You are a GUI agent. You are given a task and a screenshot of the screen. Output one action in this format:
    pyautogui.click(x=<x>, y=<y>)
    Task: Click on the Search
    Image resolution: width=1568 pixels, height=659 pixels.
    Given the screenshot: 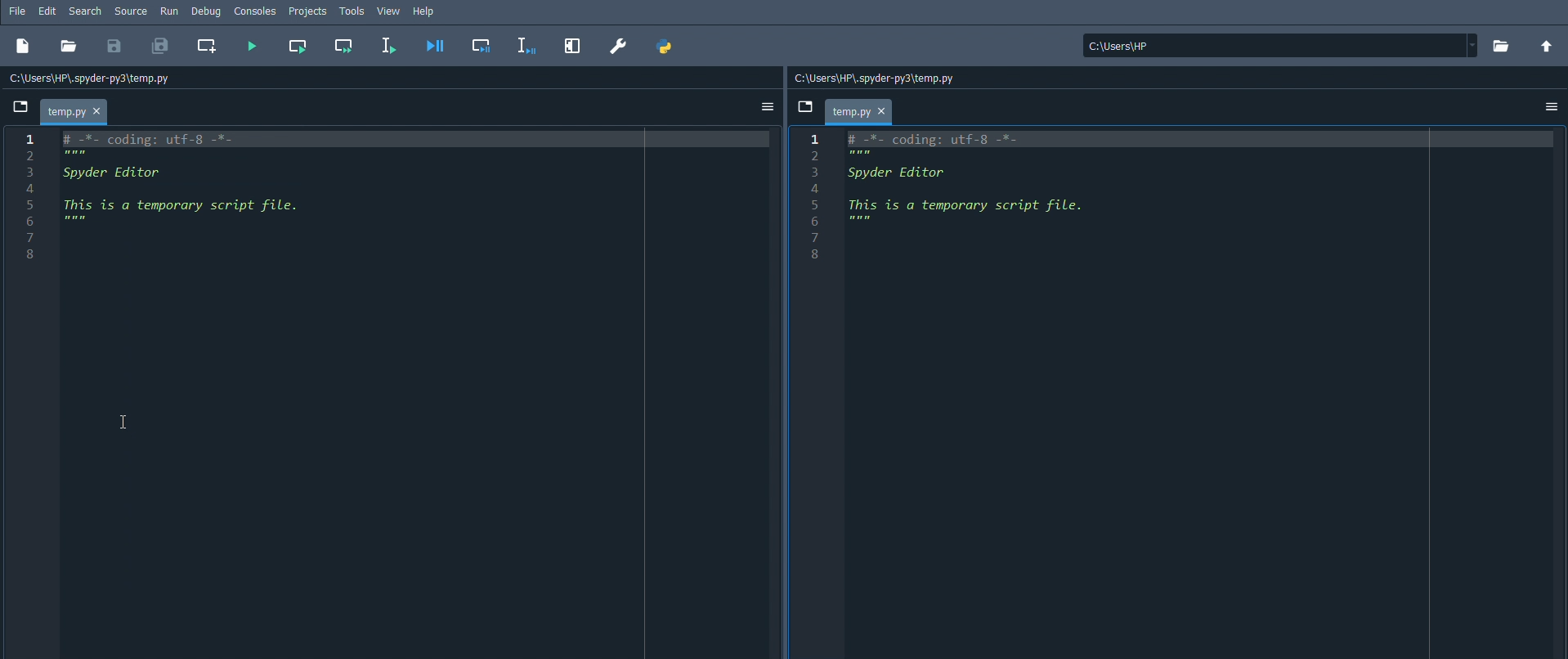 What is the action you would take?
    pyautogui.click(x=85, y=12)
    